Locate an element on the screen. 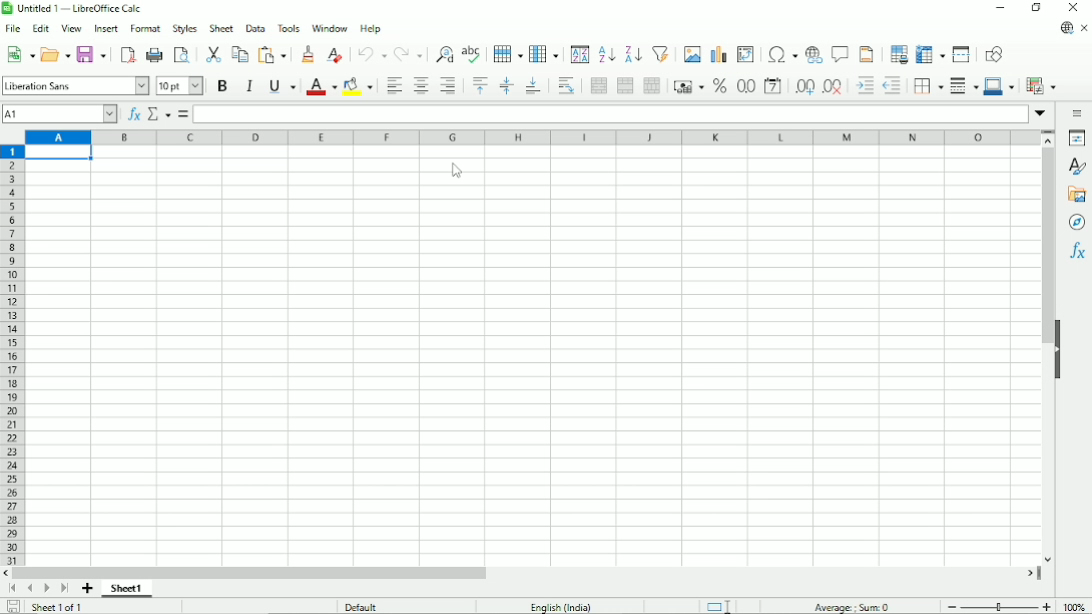 Image resolution: width=1092 pixels, height=614 pixels. Add sheet is located at coordinates (88, 589).